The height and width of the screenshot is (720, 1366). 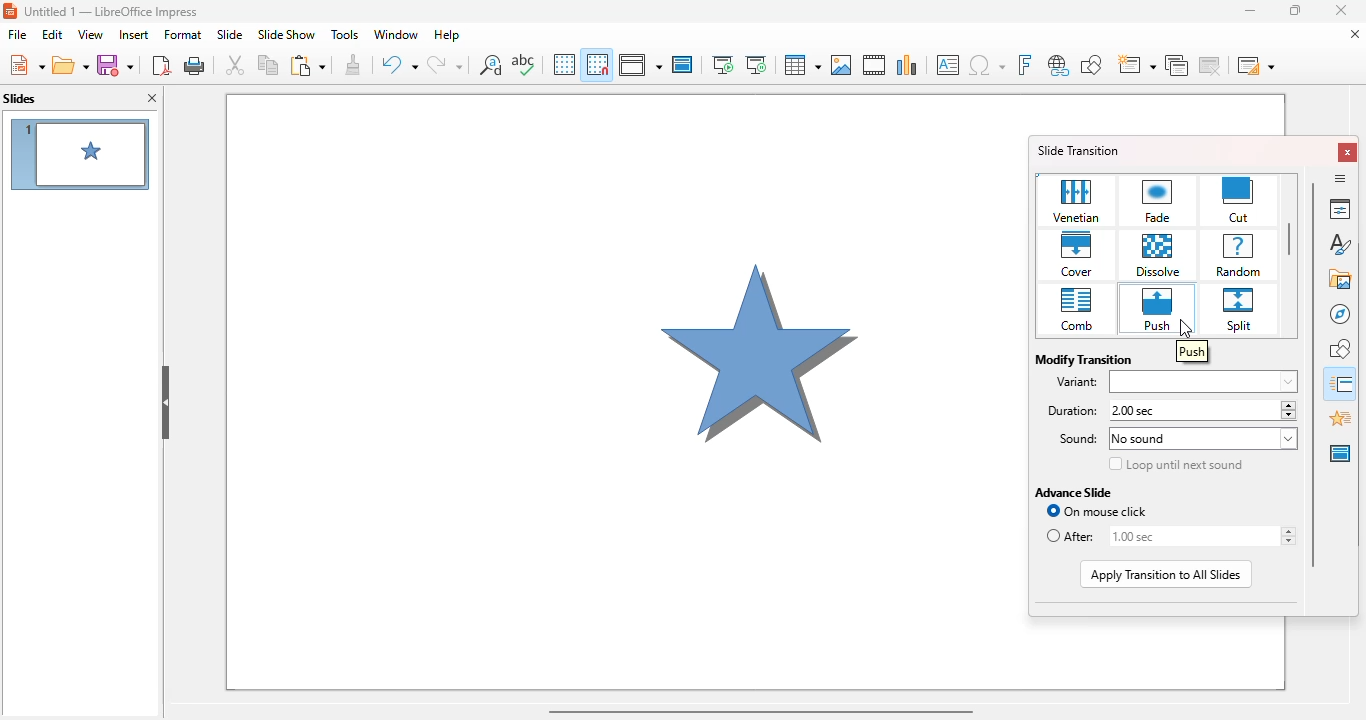 What do you see at coordinates (10, 12) in the screenshot?
I see `LibreOffice logo` at bounding box center [10, 12].